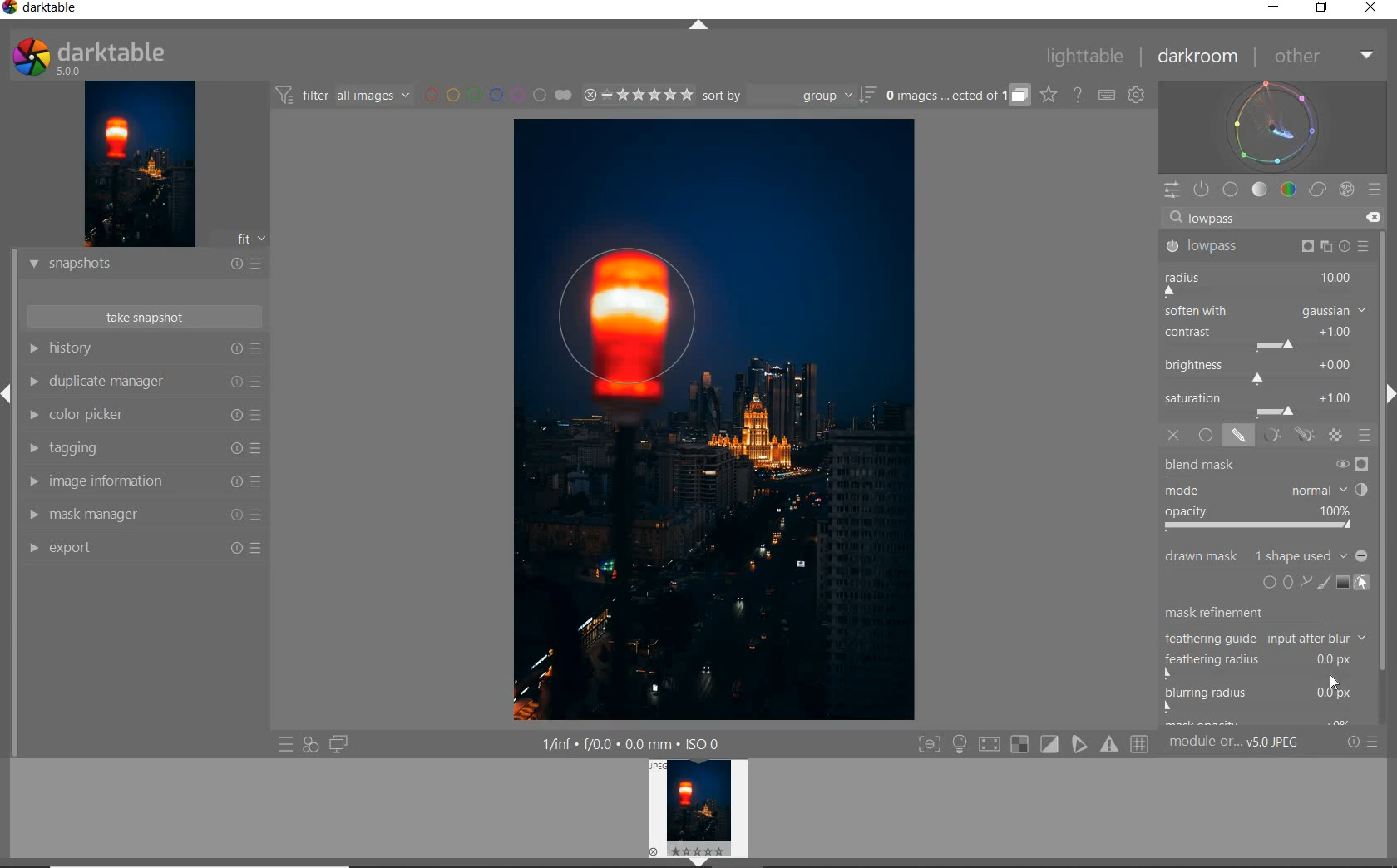 Image resolution: width=1397 pixels, height=868 pixels. I want to click on DISPLAY A SECOND DARKROOM IMAGE WINDOW, so click(338, 745).